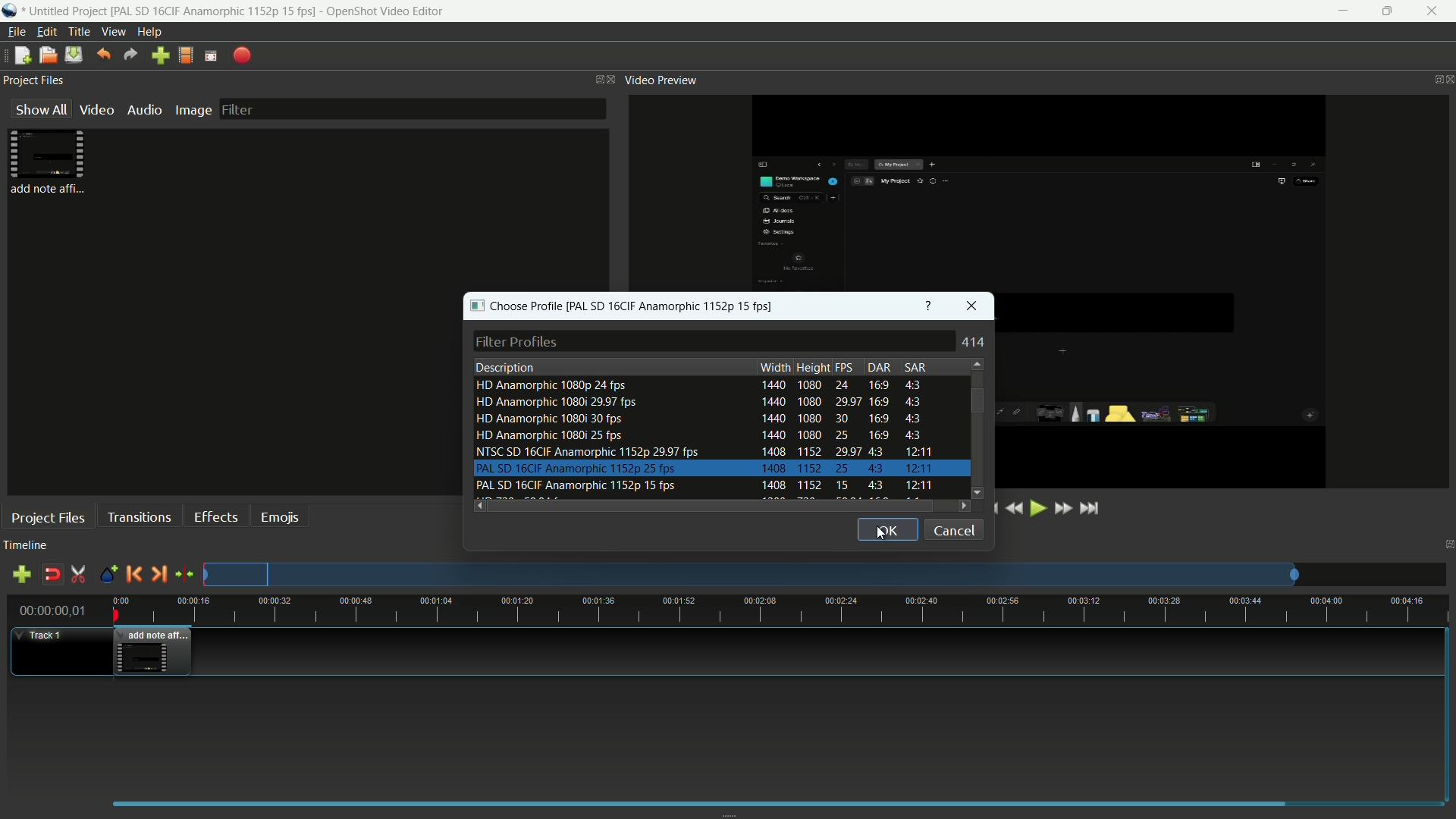 Image resolution: width=1456 pixels, height=819 pixels. What do you see at coordinates (1341, 11) in the screenshot?
I see `minimize` at bounding box center [1341, 11].